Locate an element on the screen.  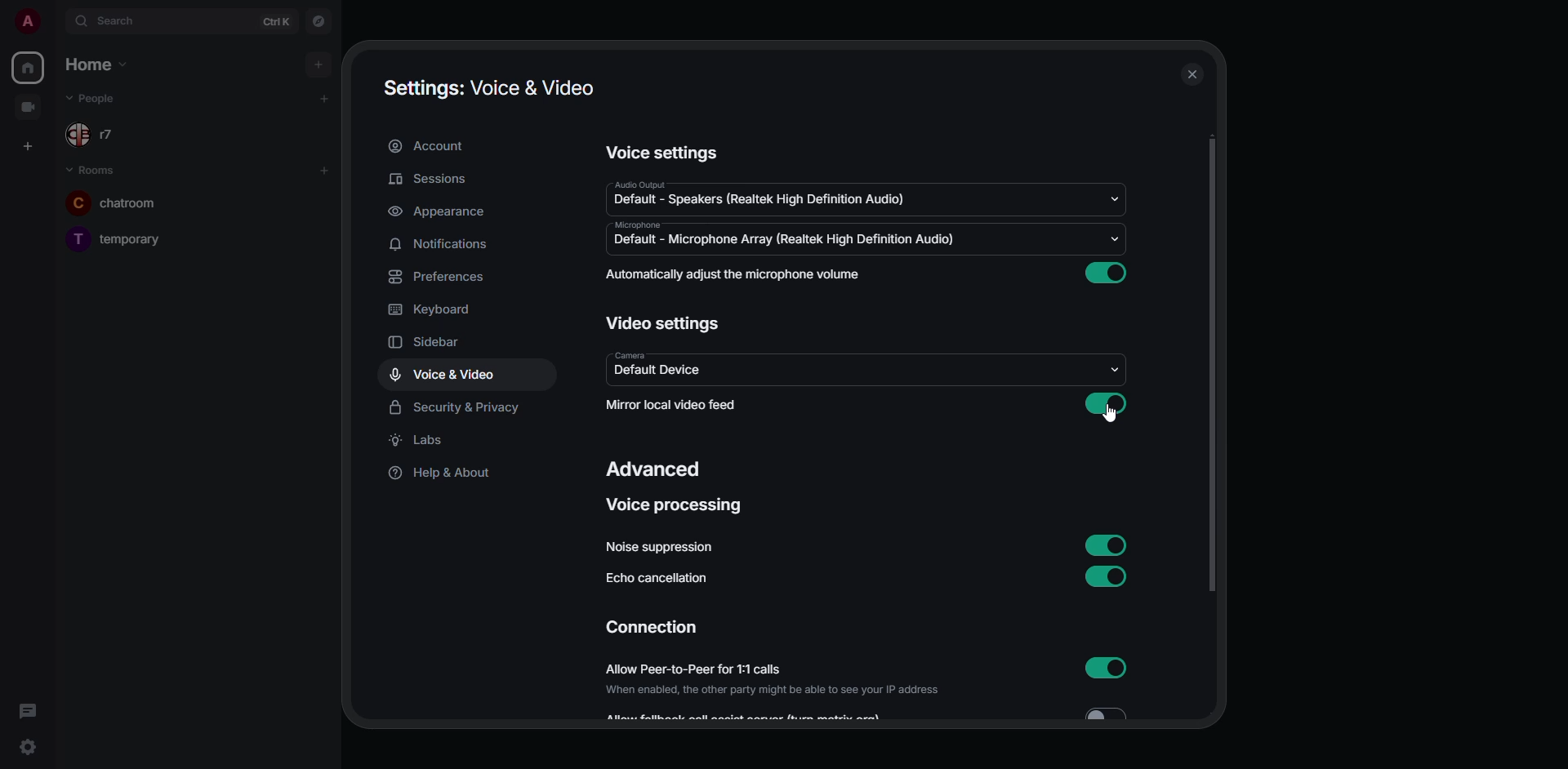
cursor is located at coordinates (1110, 416).